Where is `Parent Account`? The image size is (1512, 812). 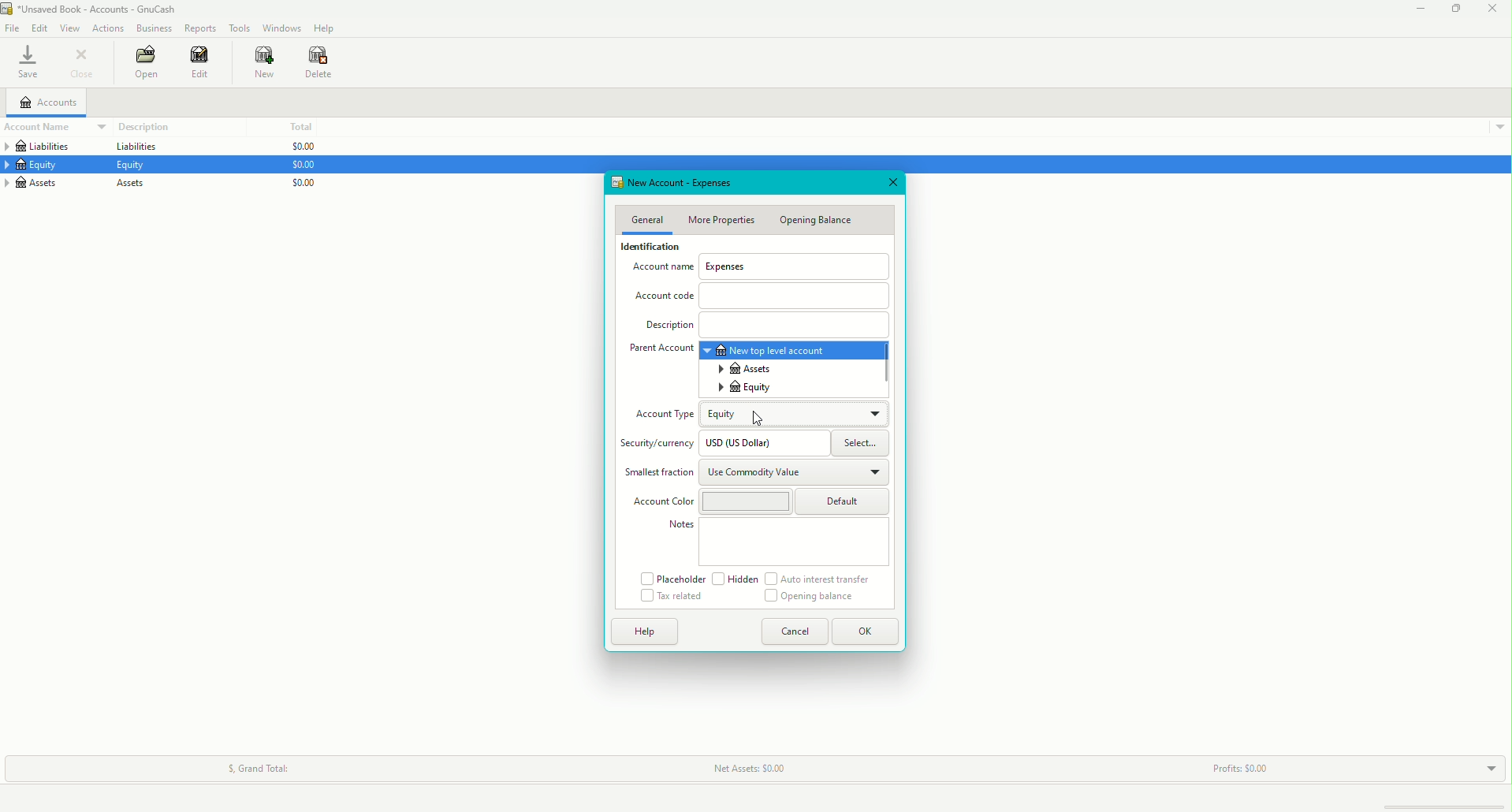
Parent Account is located at coordinates (663, 352).